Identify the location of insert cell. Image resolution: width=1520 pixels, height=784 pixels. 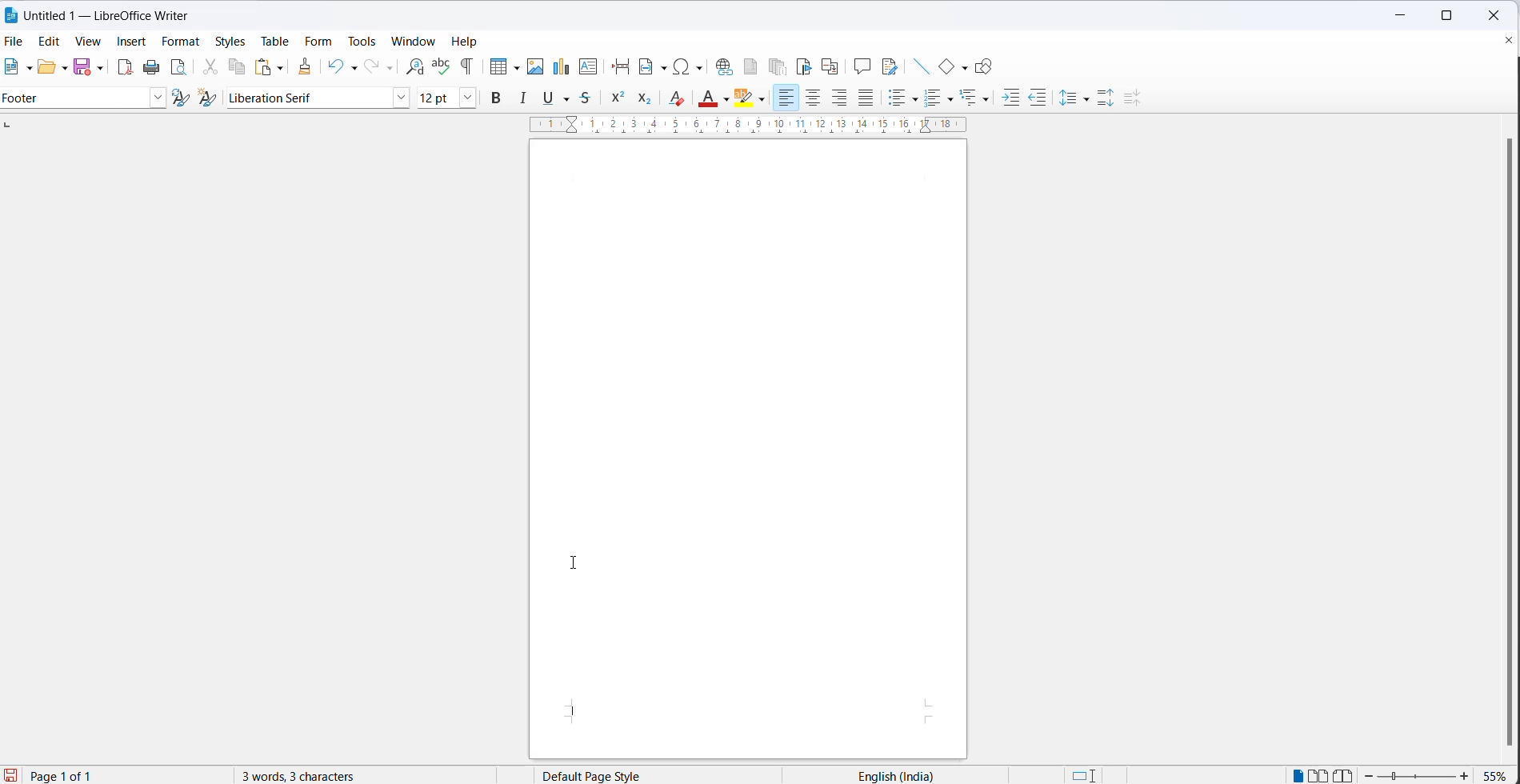
(495, 66).